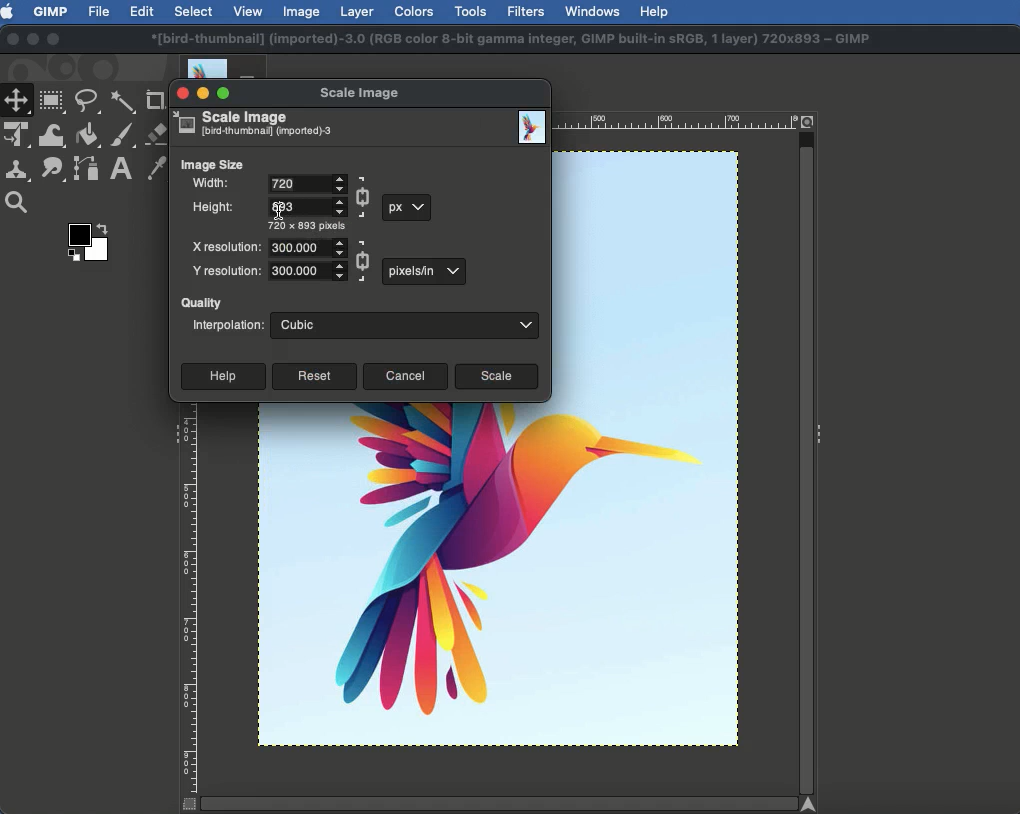 Image resolution: width=1020 pixels, height=814 pixels. What do you see at coordinates (306, 184) in the screenshot?
I see `` at bounding box center [306, 184].